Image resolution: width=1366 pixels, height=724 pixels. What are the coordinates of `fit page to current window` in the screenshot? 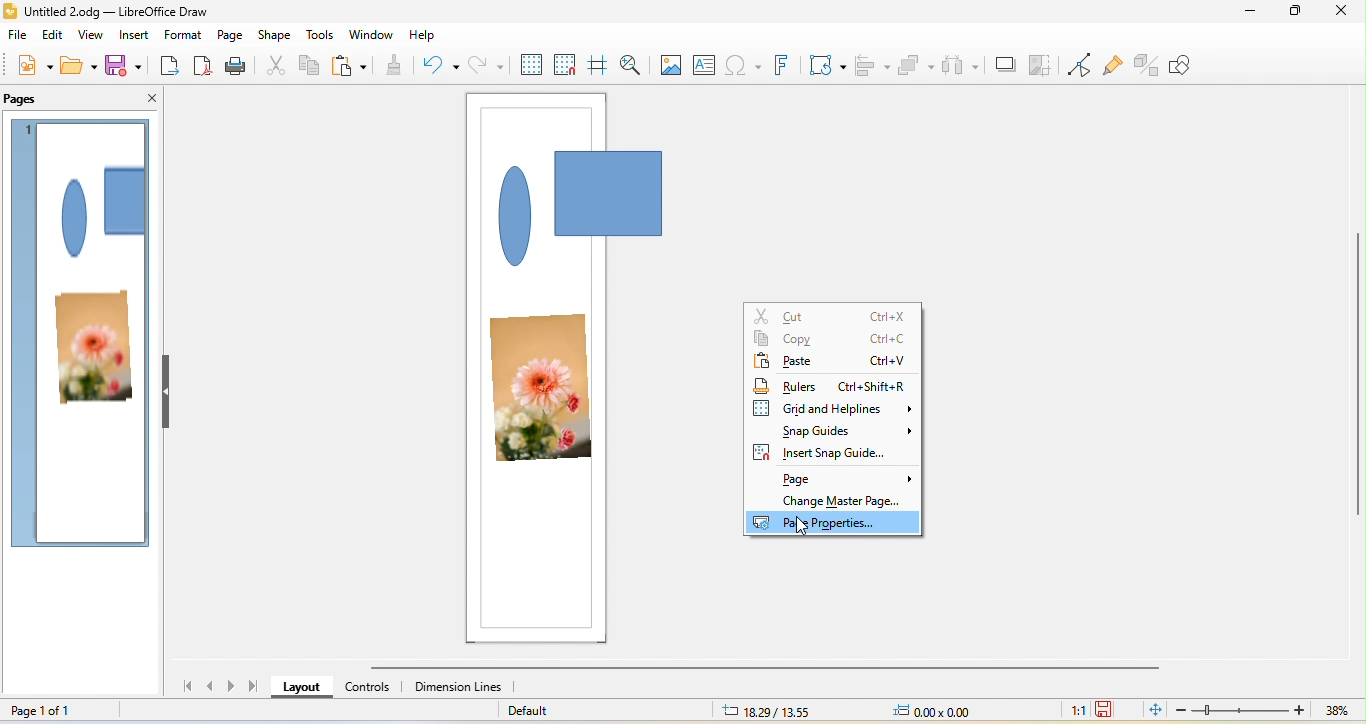 It's located at (1152, 711).